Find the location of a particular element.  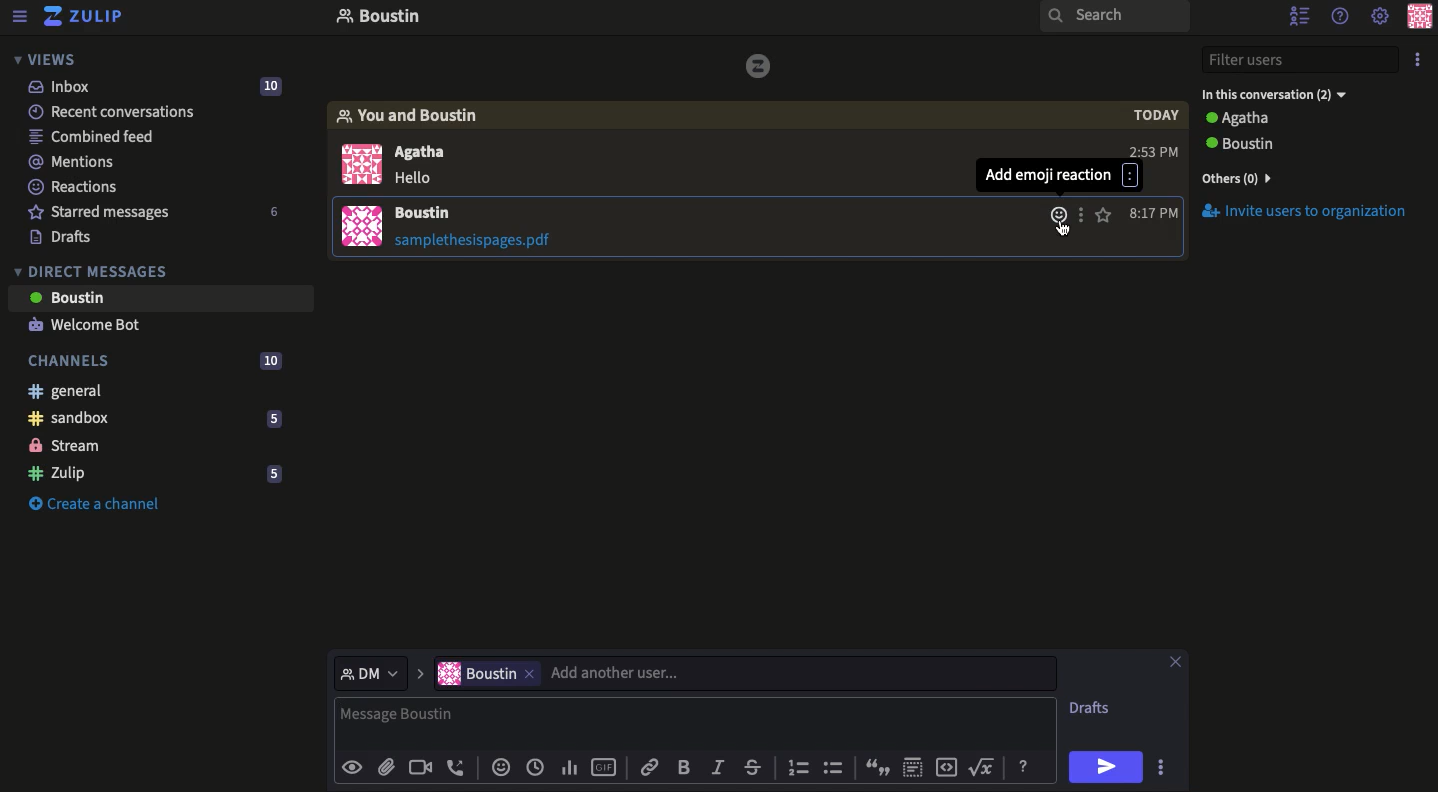

Views is located at coordinates (48, 58).